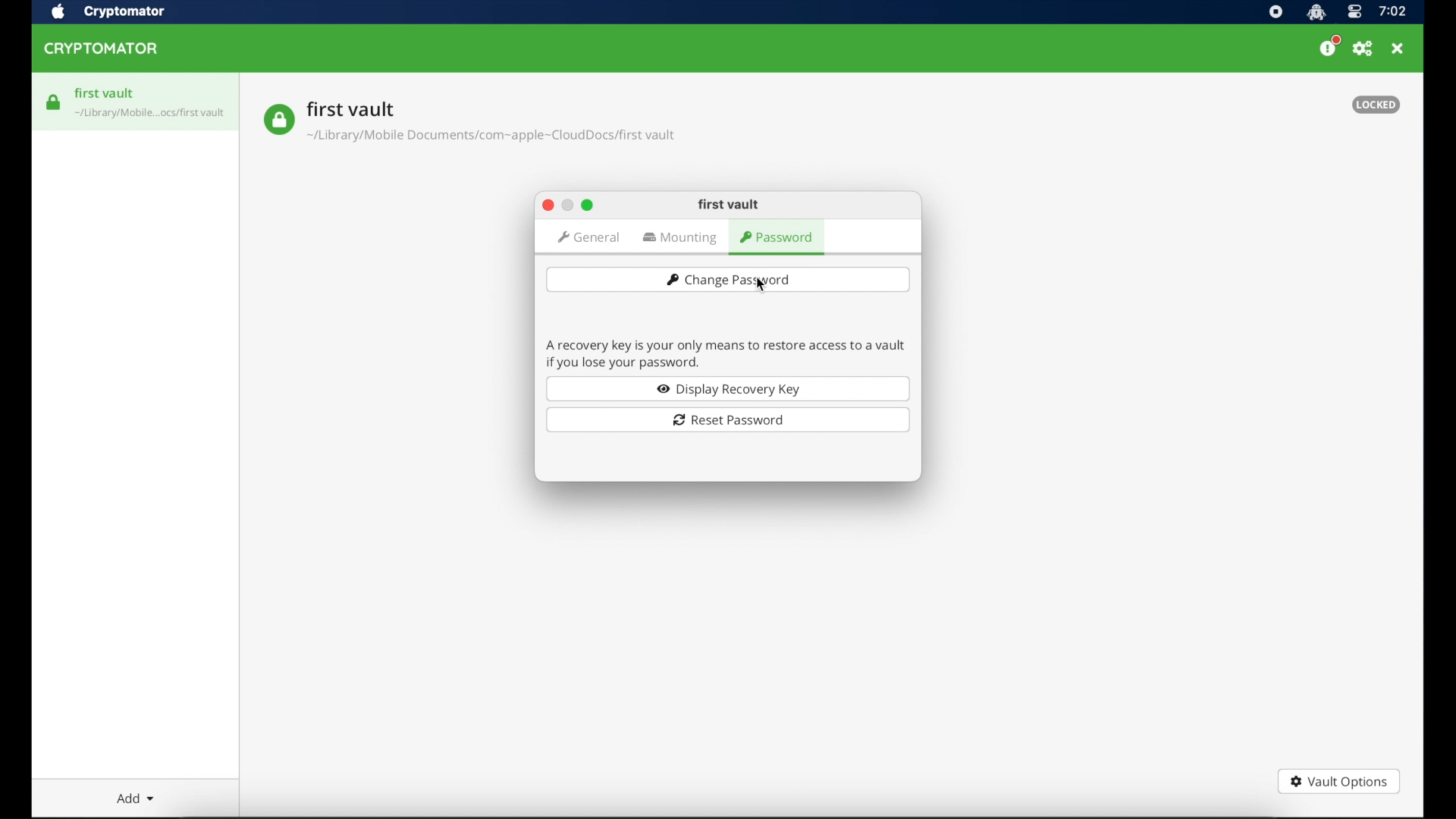 Image resolution: width=1456 pixels, height=819 pixels. What do you see at coordinates (1398, 49) in the screenshot?
I see `close` at bounding box center [1398, 49].